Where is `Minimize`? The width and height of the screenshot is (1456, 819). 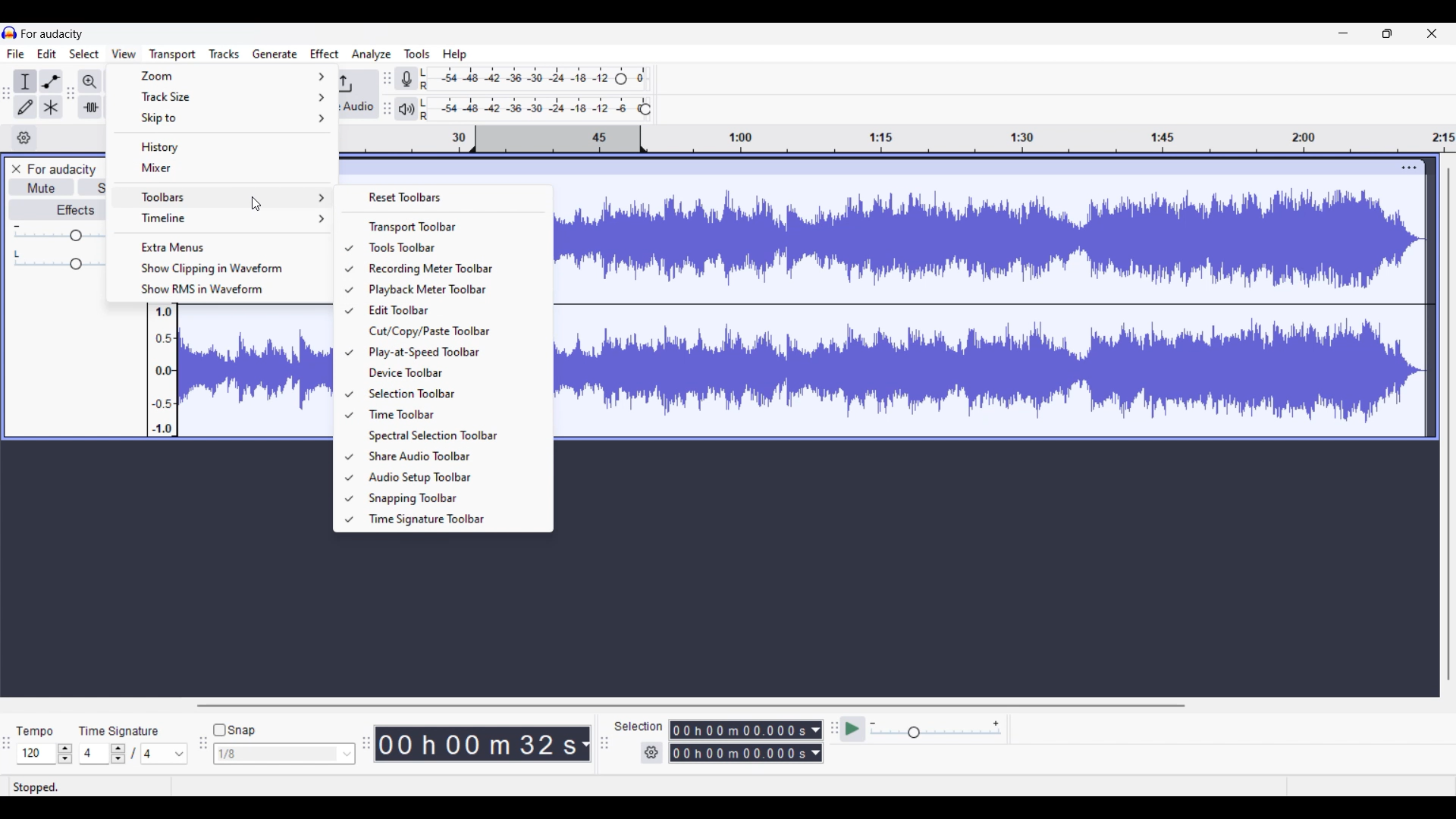 Minimize is located at coordinates (1344, 33).